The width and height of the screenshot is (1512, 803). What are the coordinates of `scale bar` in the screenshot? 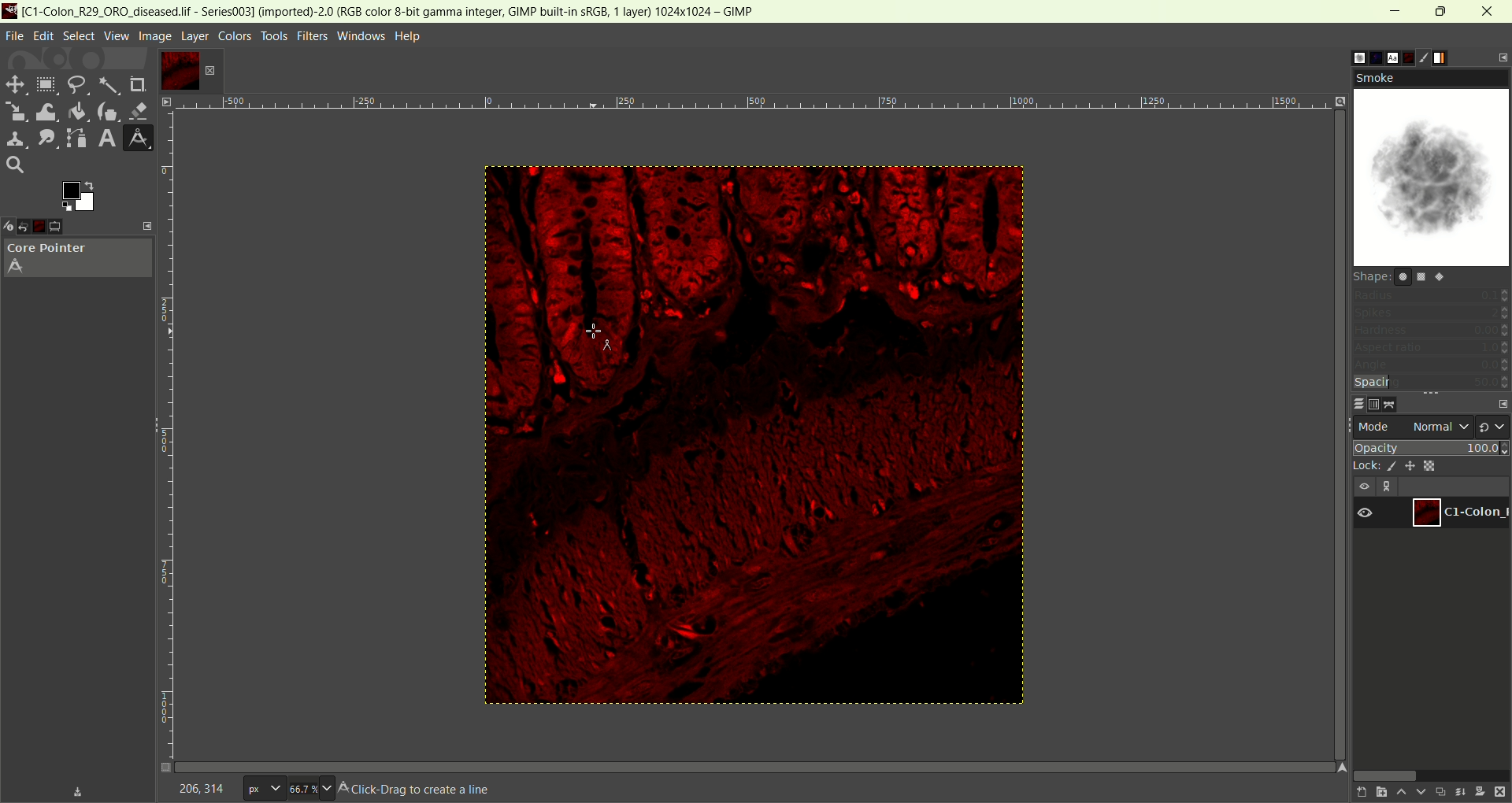 It's located at (172, 427).